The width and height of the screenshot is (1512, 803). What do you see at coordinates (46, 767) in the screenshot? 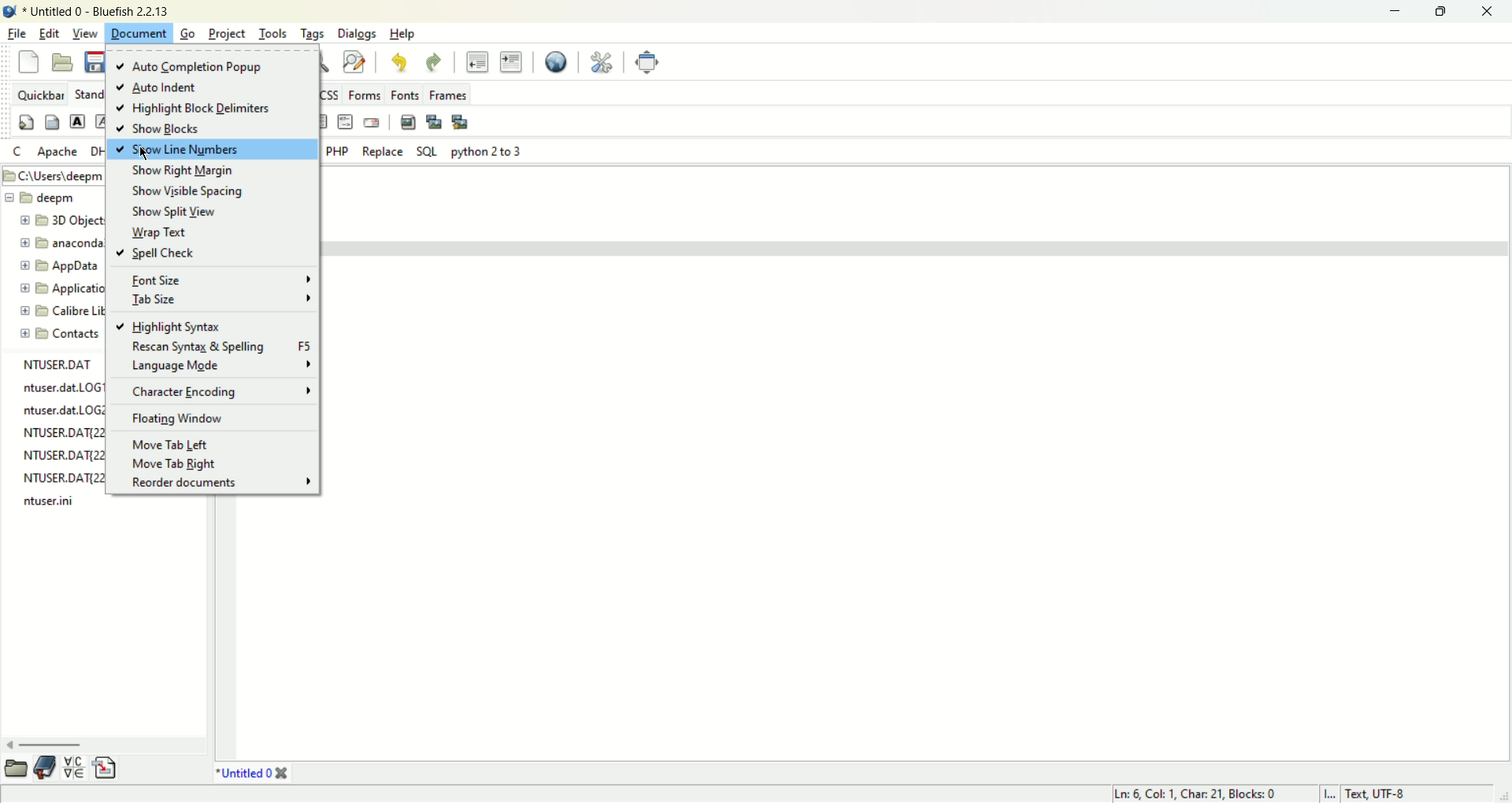
I see `bookmark` at bounding box center [46, 767].